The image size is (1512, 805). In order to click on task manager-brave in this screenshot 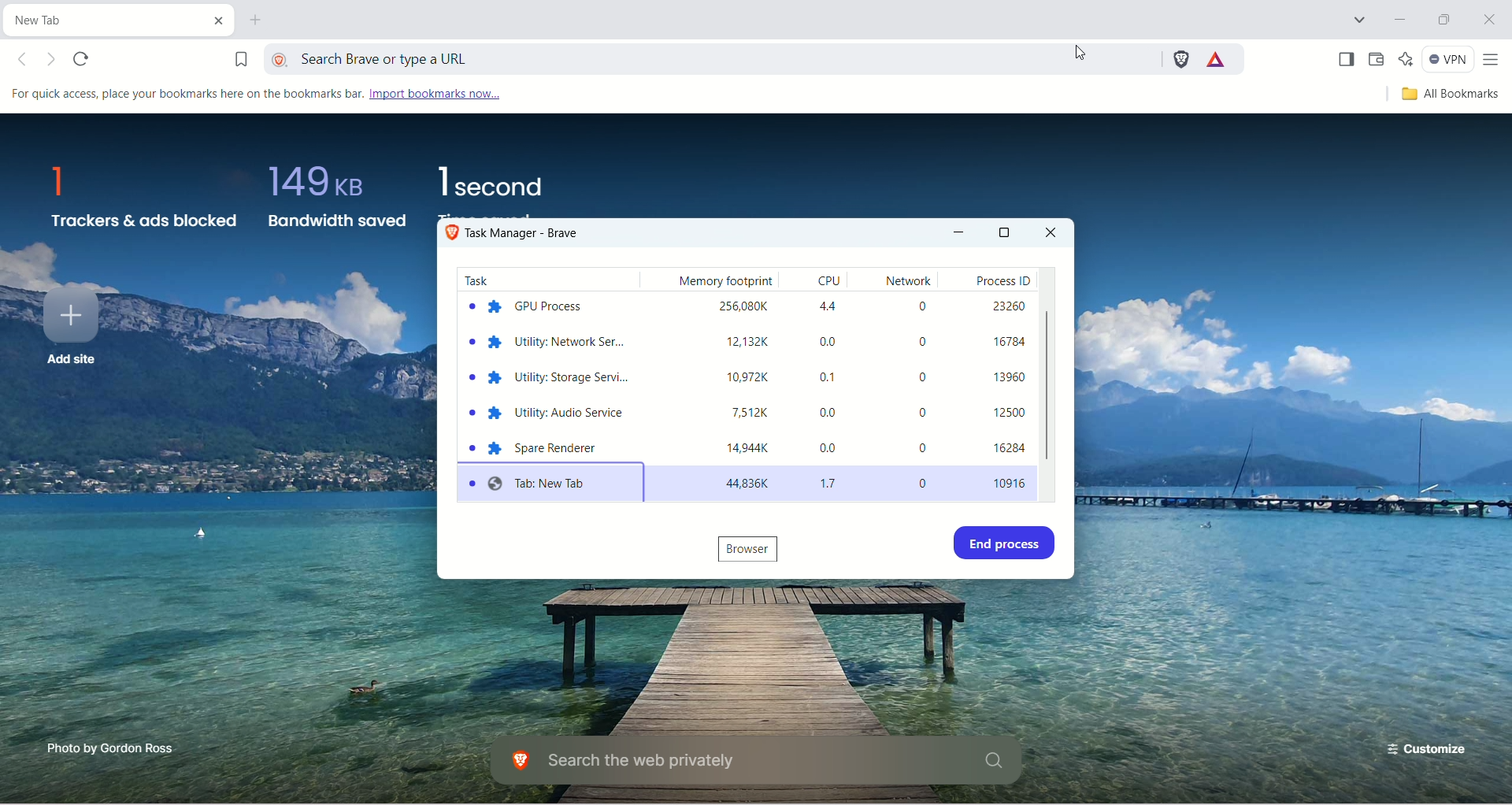, I will do `click(518, 235)`.